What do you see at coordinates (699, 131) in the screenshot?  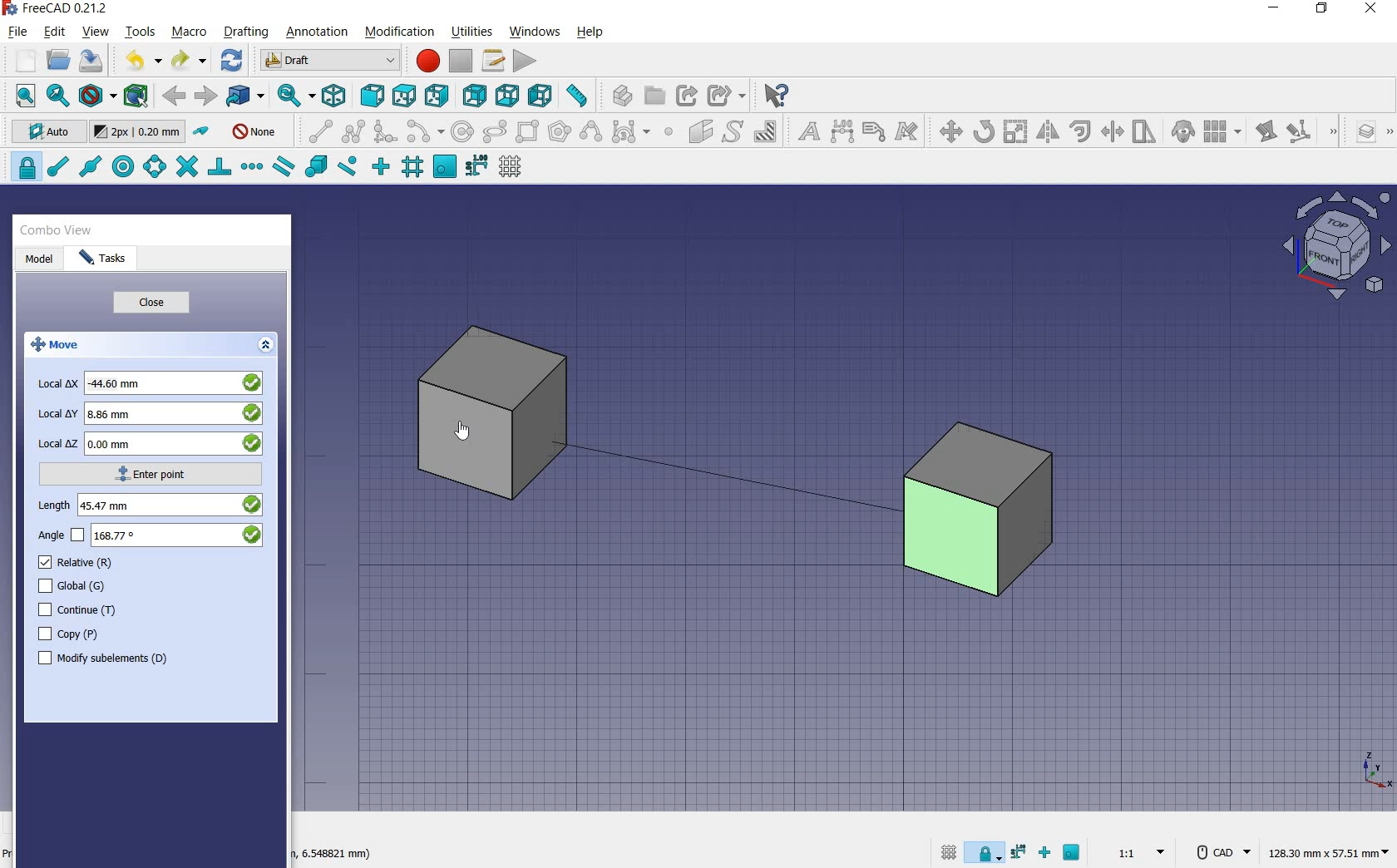 I see `facebinder` at bounding box center [699, 131].